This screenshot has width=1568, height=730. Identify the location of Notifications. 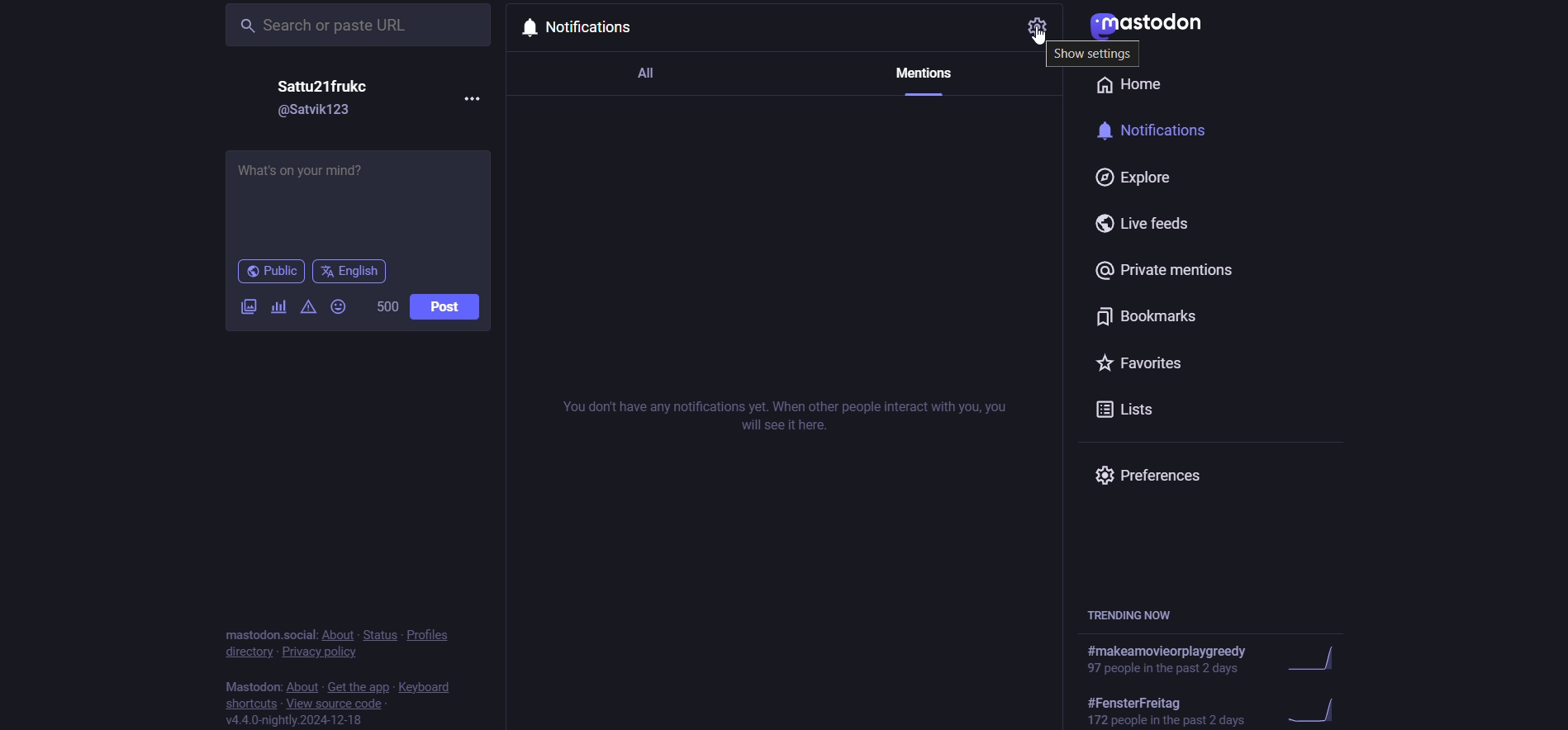
(1147, 129).